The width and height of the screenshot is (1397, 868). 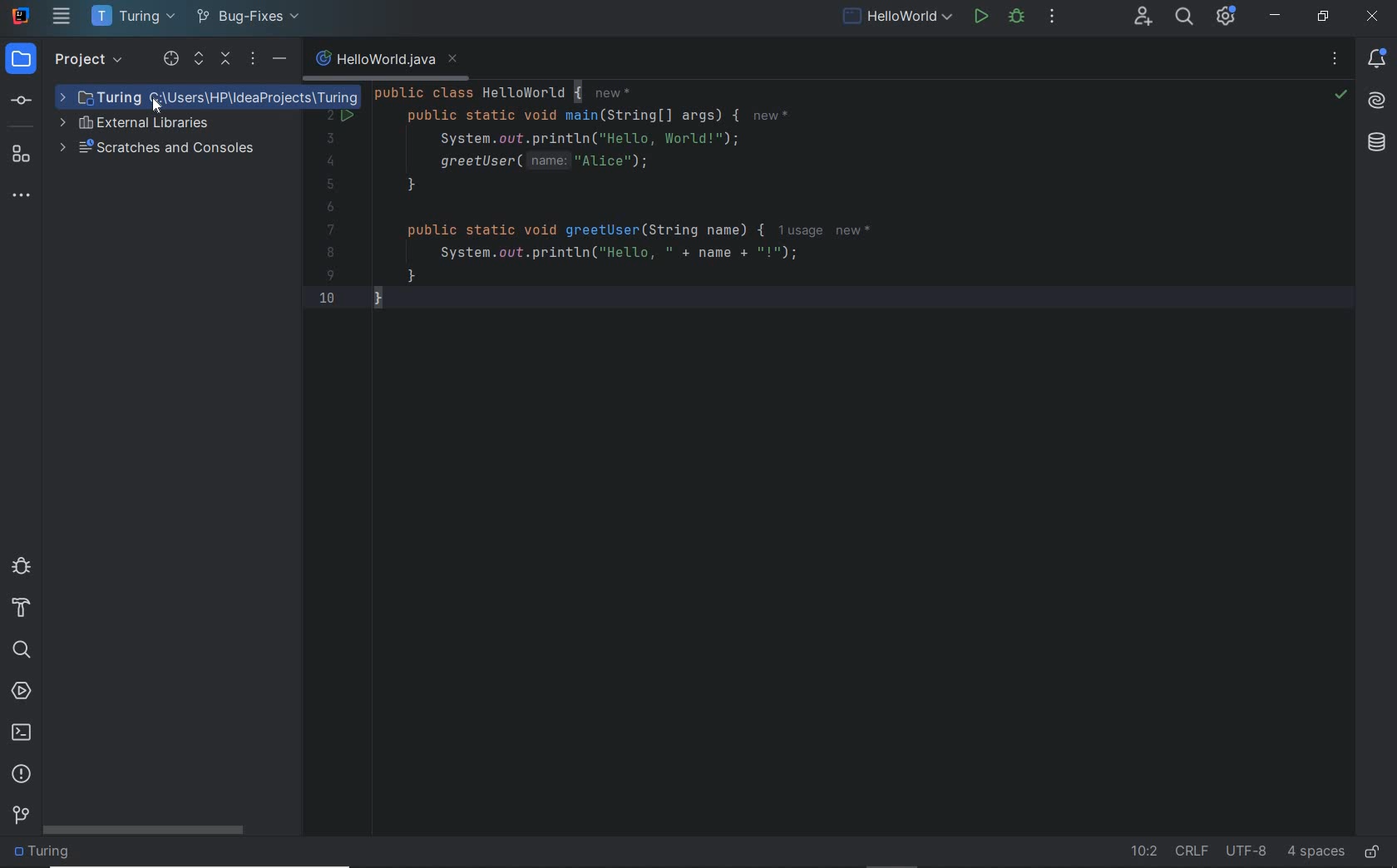 I want to click on commit, so click(x=24, y=101).